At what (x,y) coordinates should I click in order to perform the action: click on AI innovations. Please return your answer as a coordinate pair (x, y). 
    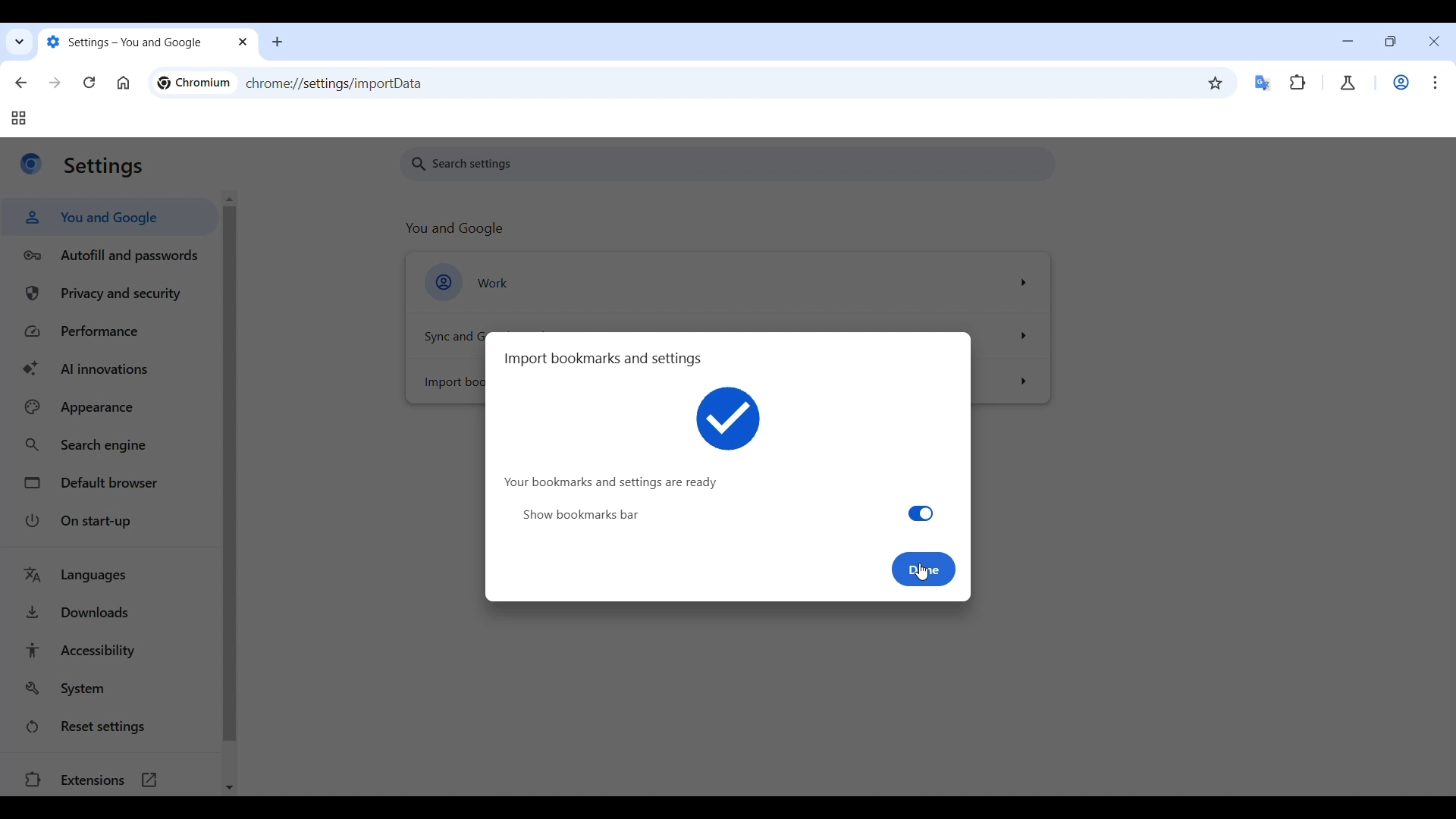
    Looking at the image, I should click on (112, 368).